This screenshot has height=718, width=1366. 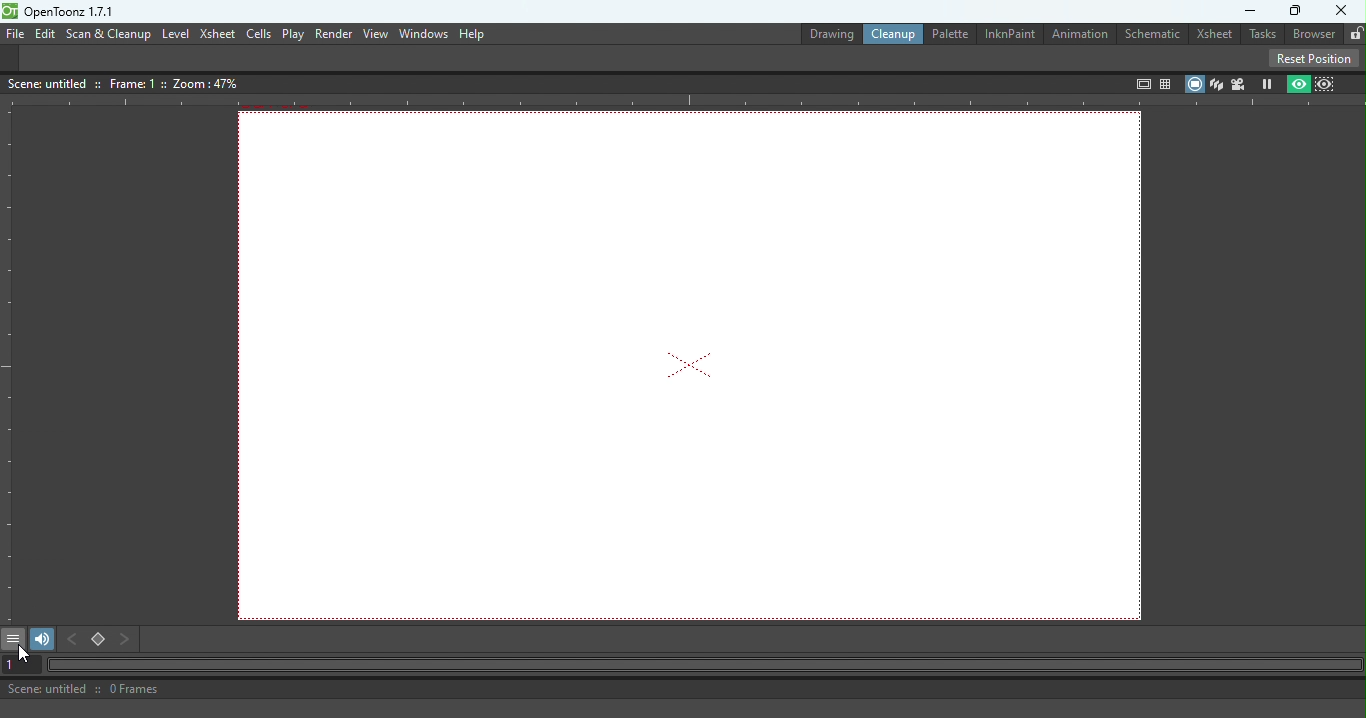 I want to click on Horizontal ruler, so click(x=683, y=102).